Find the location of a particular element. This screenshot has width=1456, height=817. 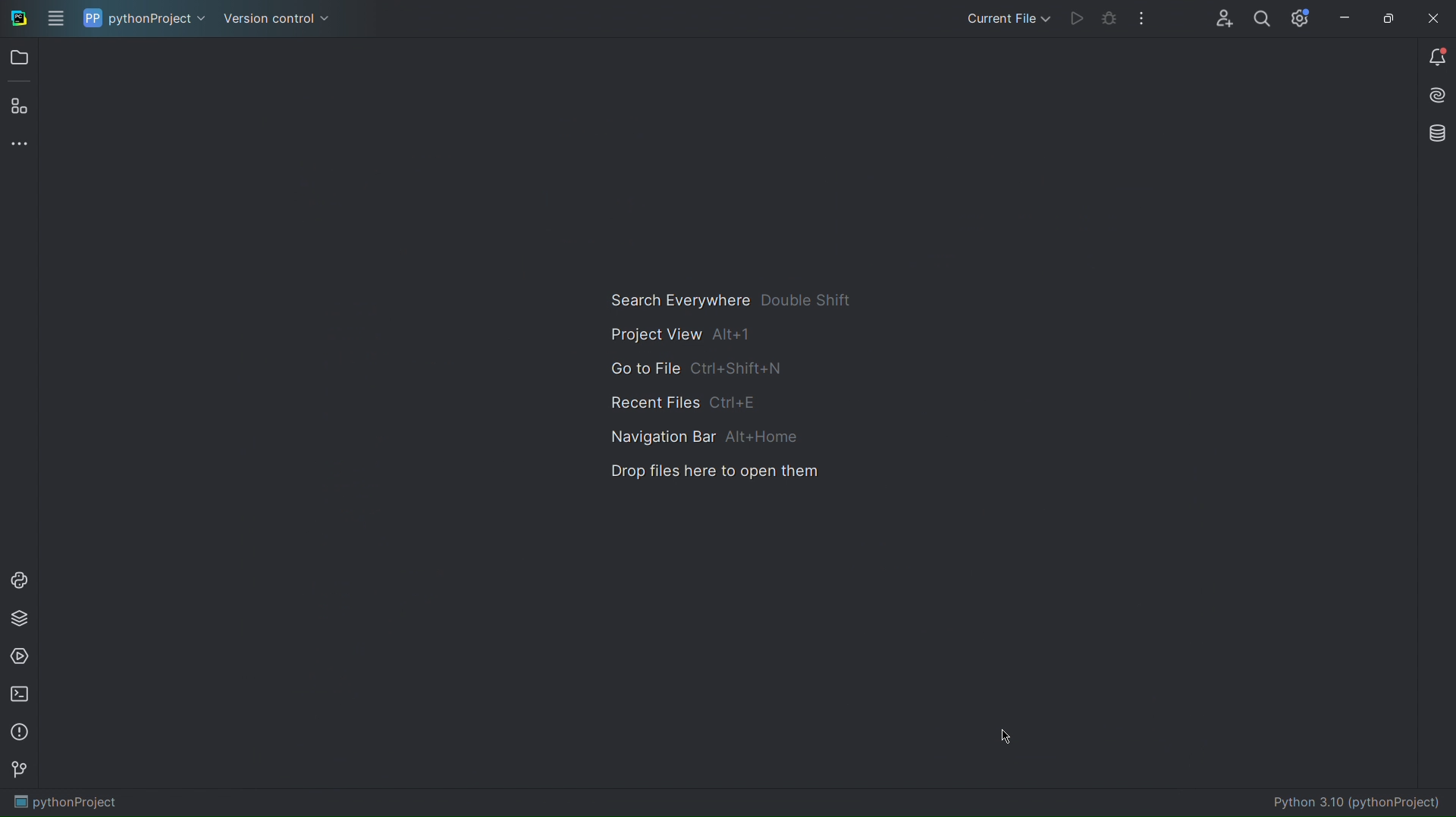

Version Control is located at coordinates (22, 773).